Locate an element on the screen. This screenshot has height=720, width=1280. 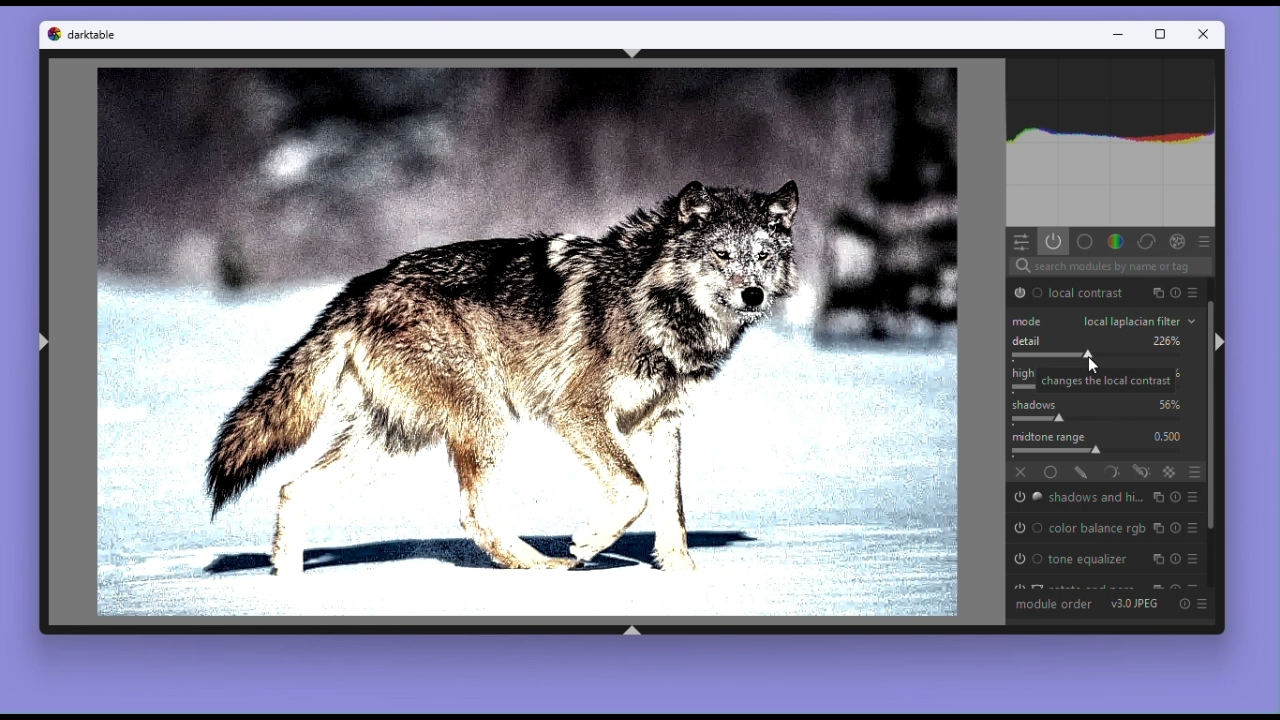
 is located at coordinates (1179, 242).